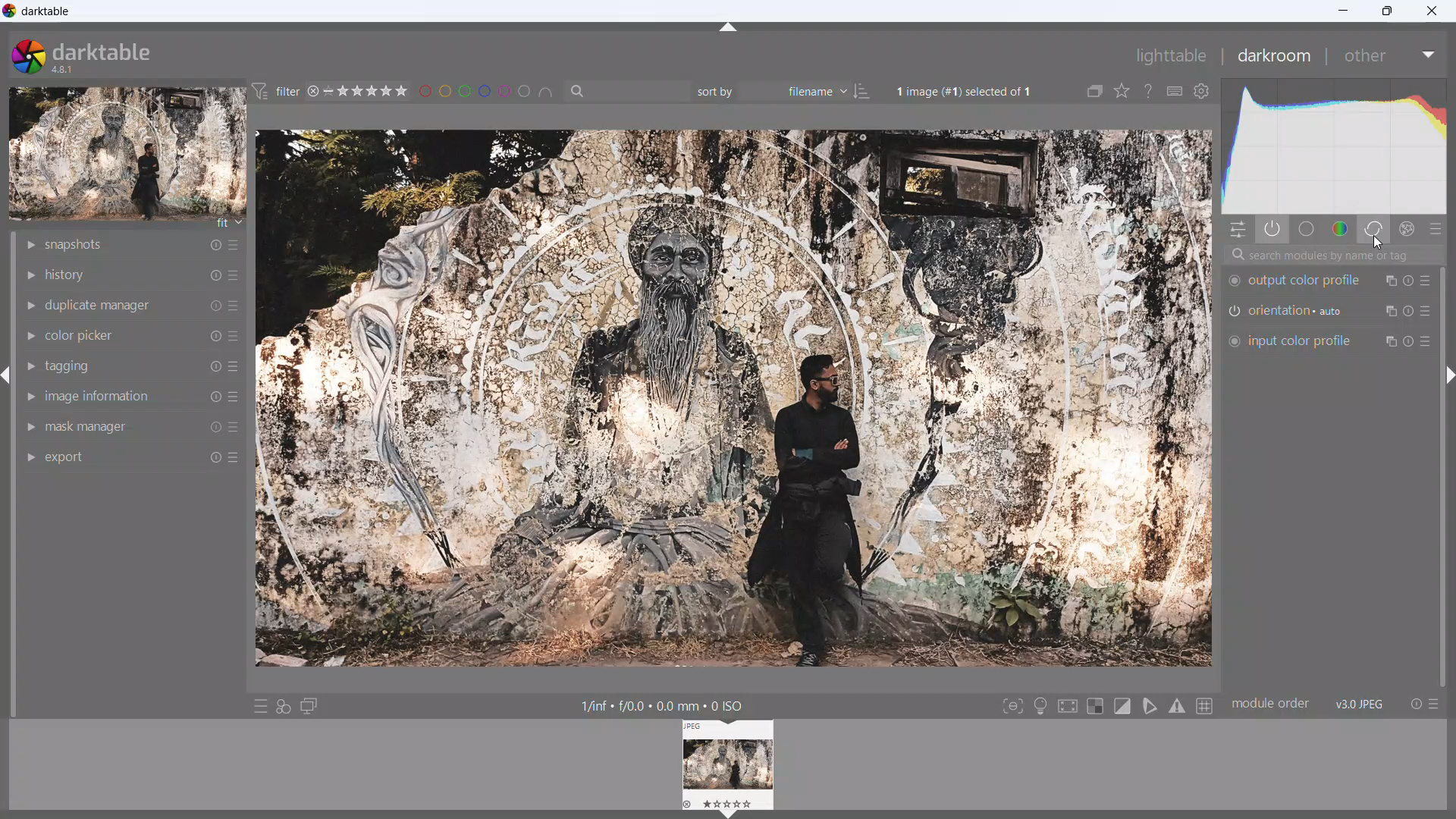 Image resolution: width=1456 pixels, height=819 pixels. Describe the element at coordinates (1308, 280) in the screenshot. I see `output color profile` at that location.